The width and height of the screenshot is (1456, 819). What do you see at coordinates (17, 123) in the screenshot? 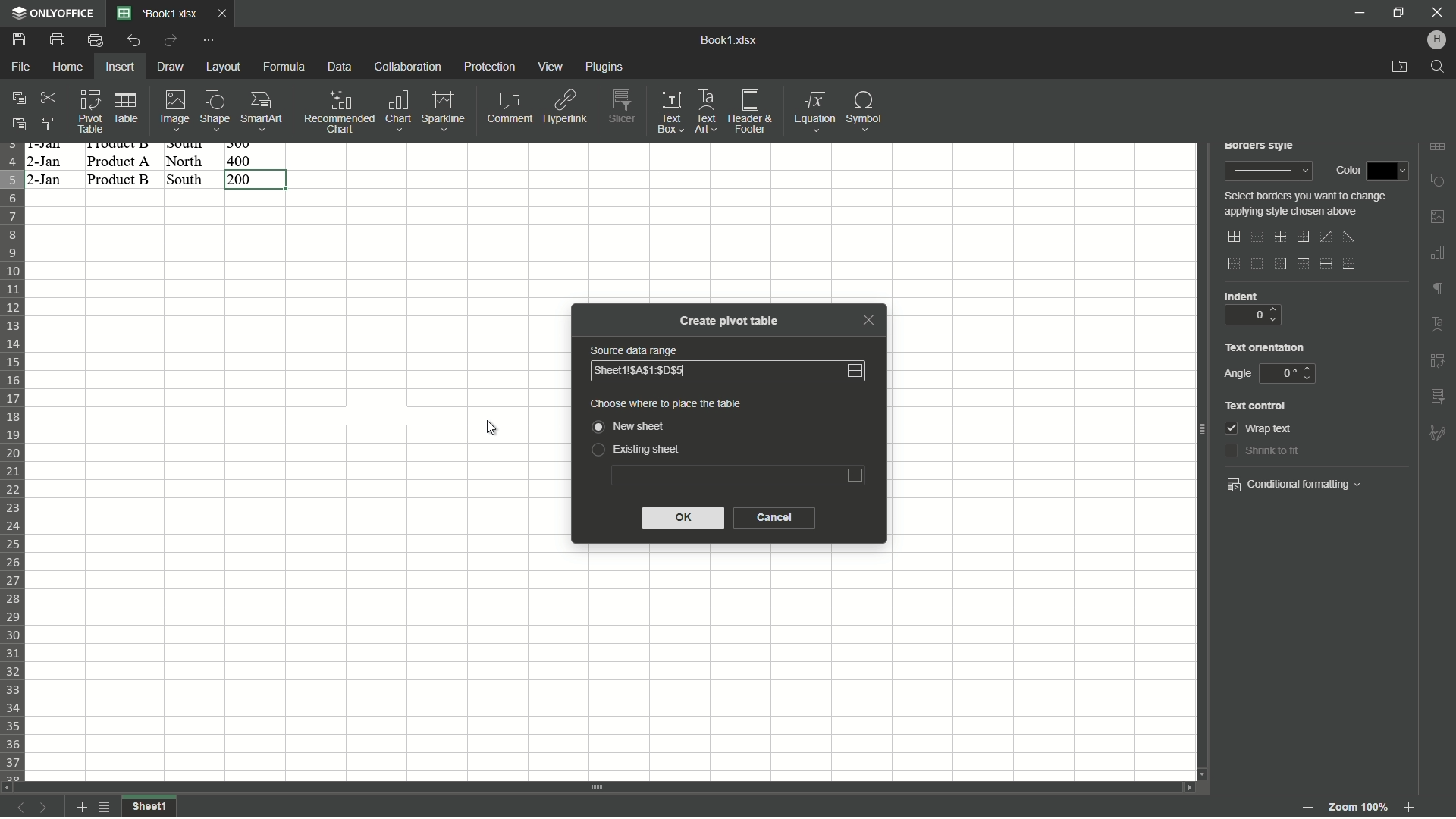
I see ` Paste` at bounding box center [17, 123].